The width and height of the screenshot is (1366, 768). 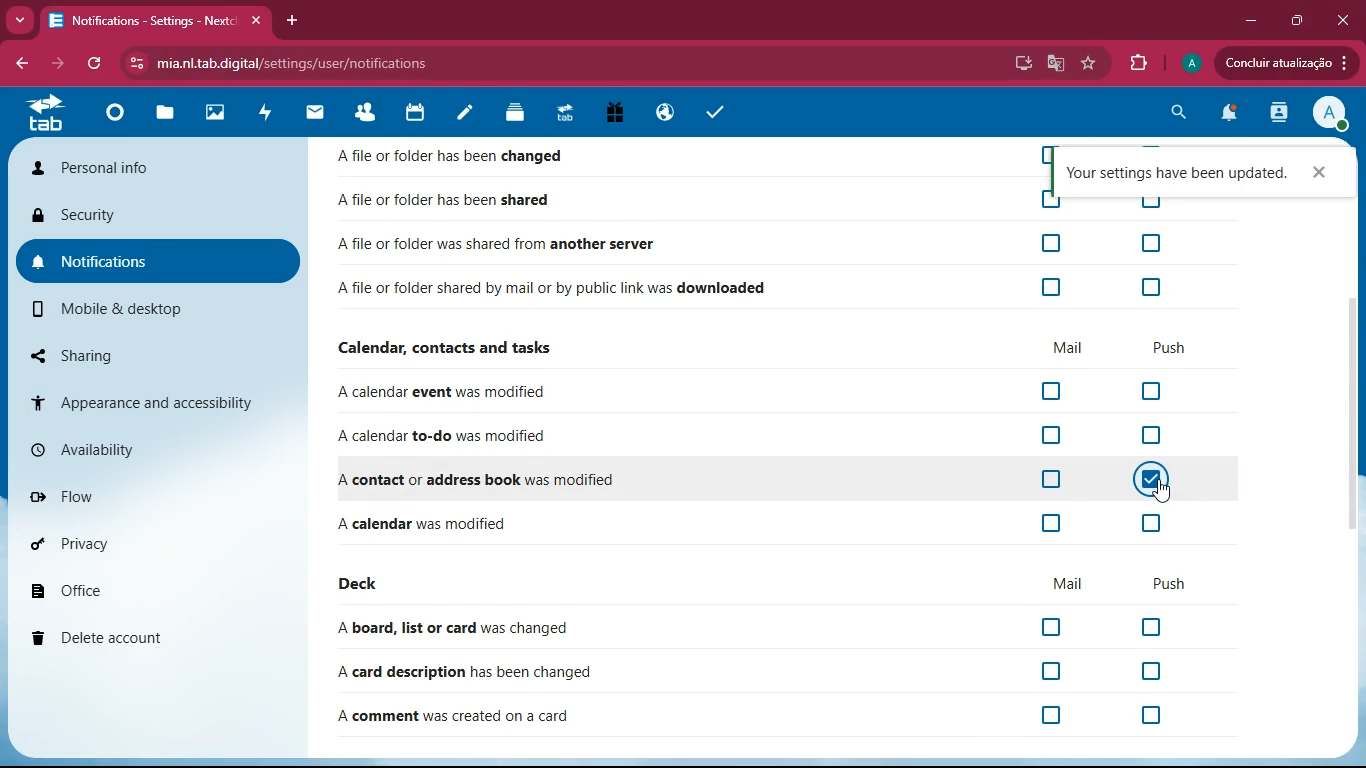 I want to click on A contact or address book was modified, so click(x=483, y=481).